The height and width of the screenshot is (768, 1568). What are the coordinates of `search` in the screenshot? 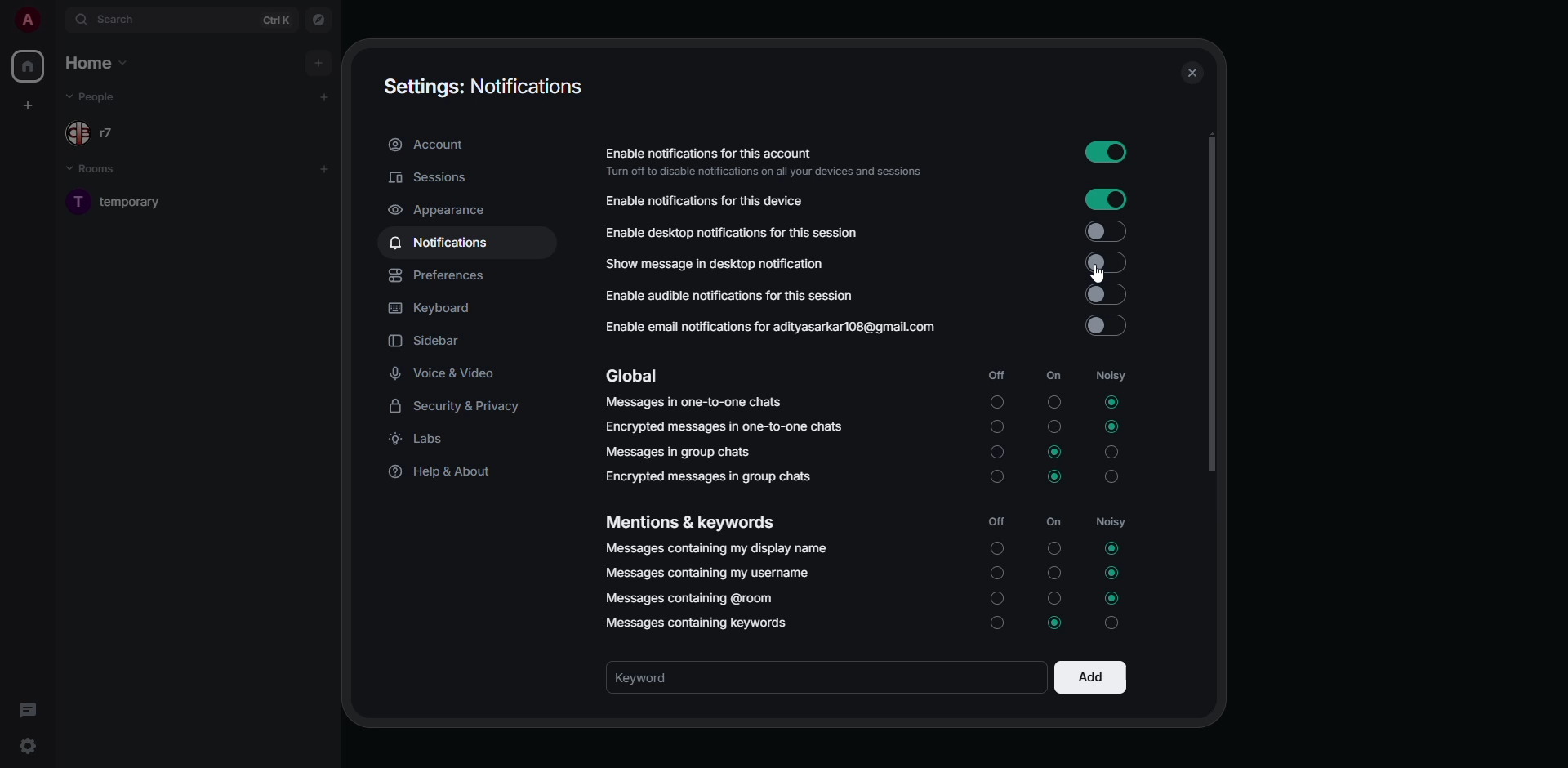 It's located at (121, 20).